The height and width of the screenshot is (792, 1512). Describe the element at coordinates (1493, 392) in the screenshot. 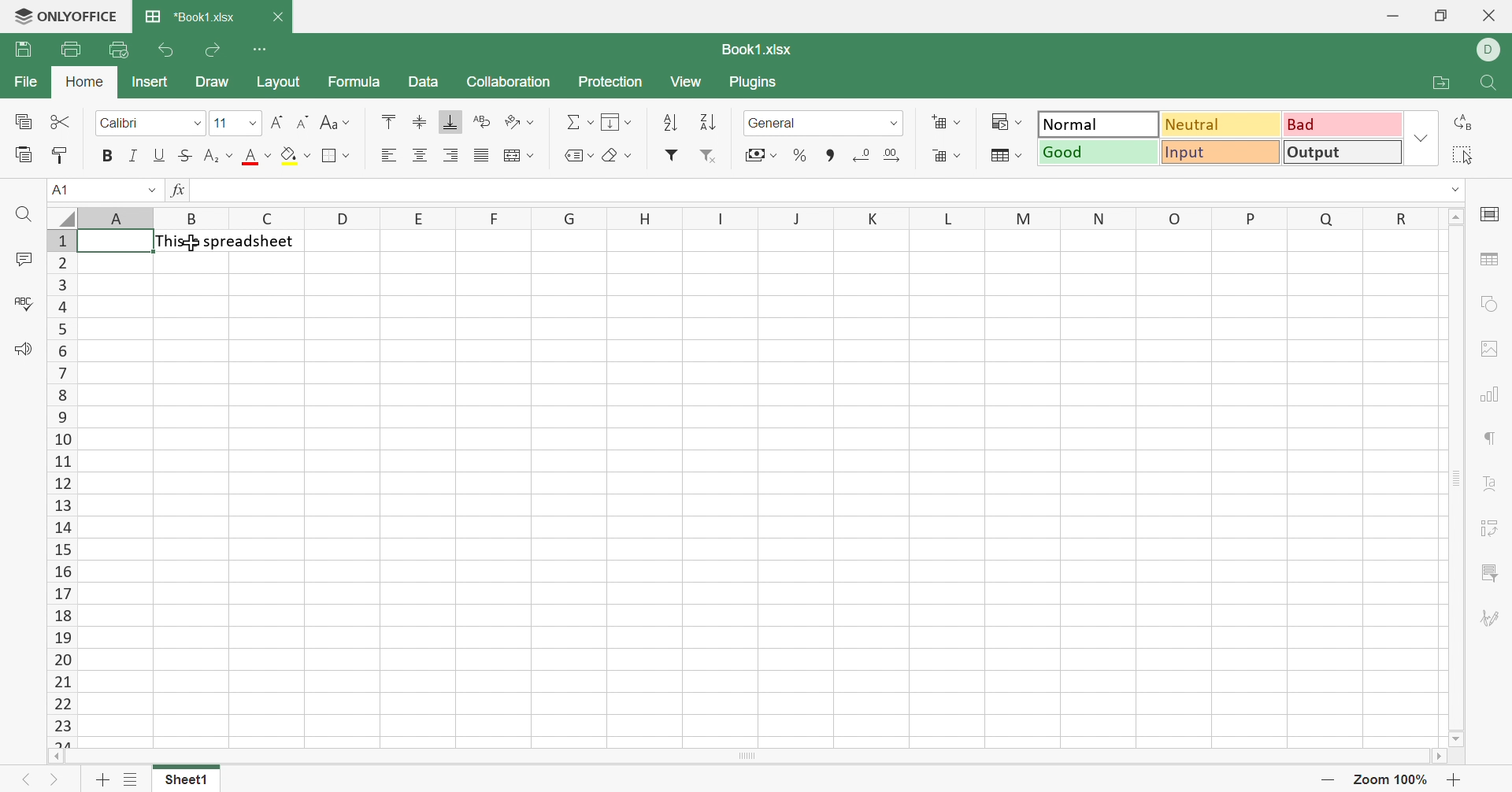

I see `chart settings` at that location.